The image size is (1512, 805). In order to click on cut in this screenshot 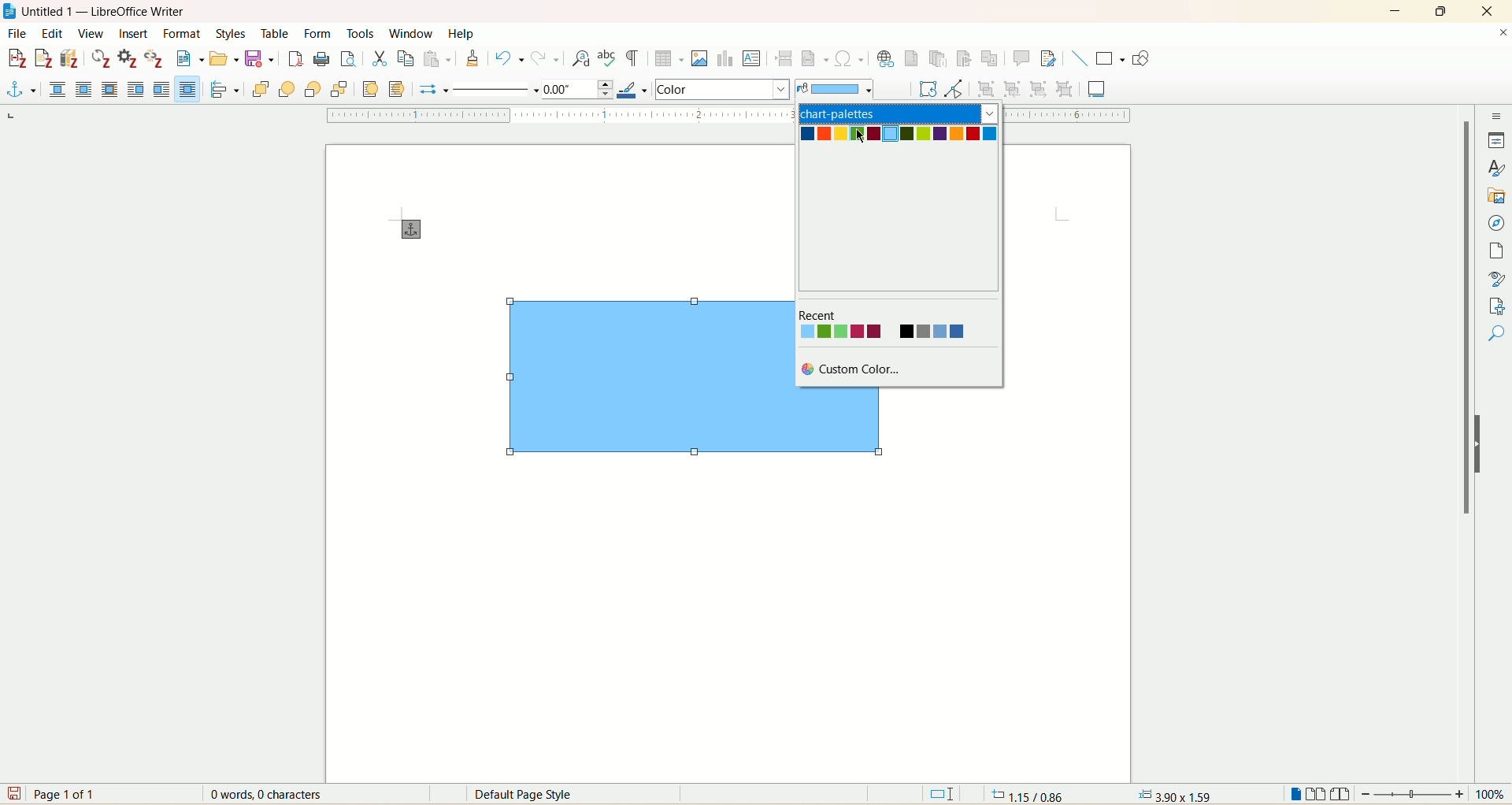, I will do `click(379, 57)`.